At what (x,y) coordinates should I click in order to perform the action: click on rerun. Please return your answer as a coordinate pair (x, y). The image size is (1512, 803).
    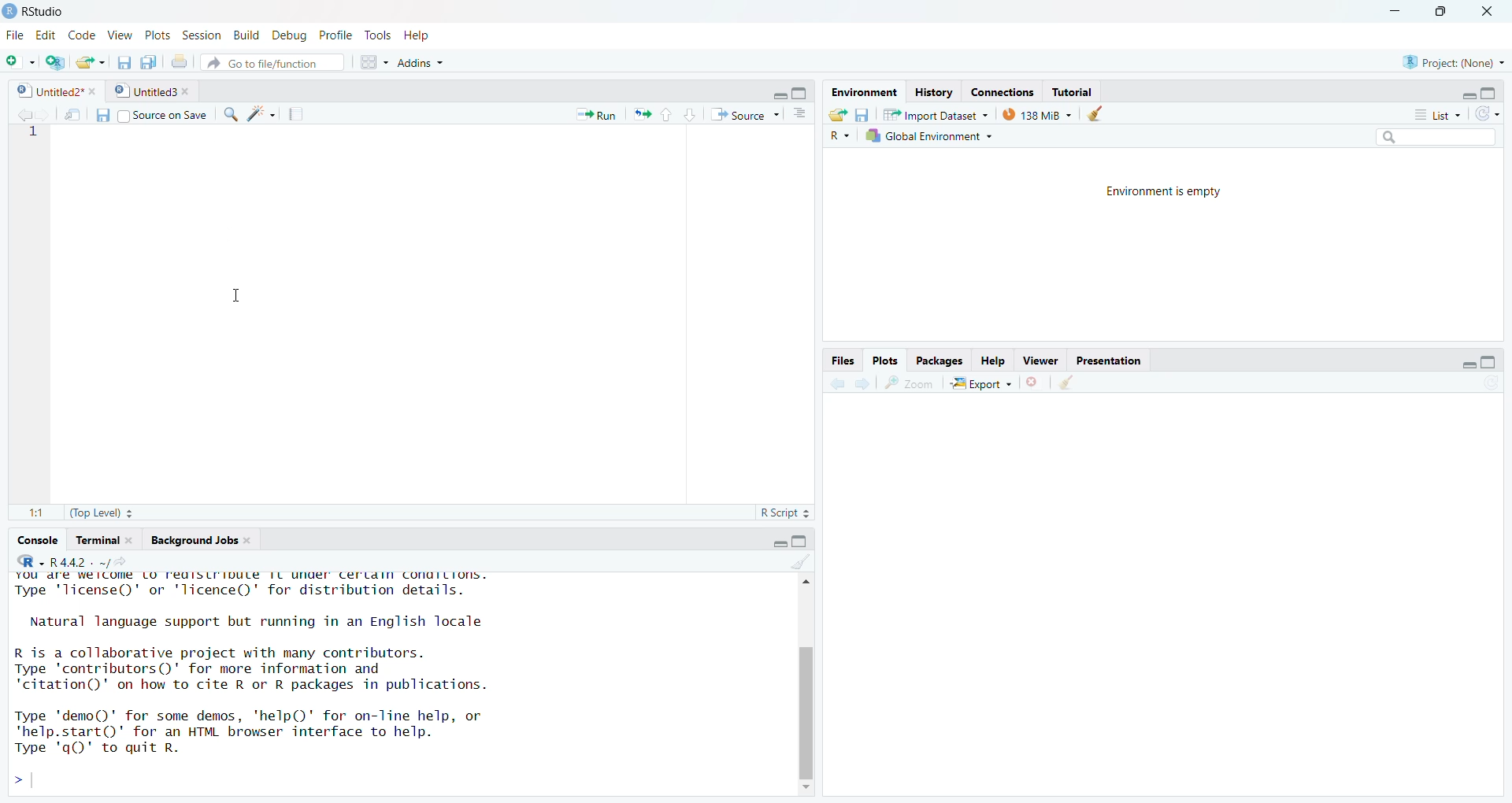
    Looking at the image, I should click on (642, 116).